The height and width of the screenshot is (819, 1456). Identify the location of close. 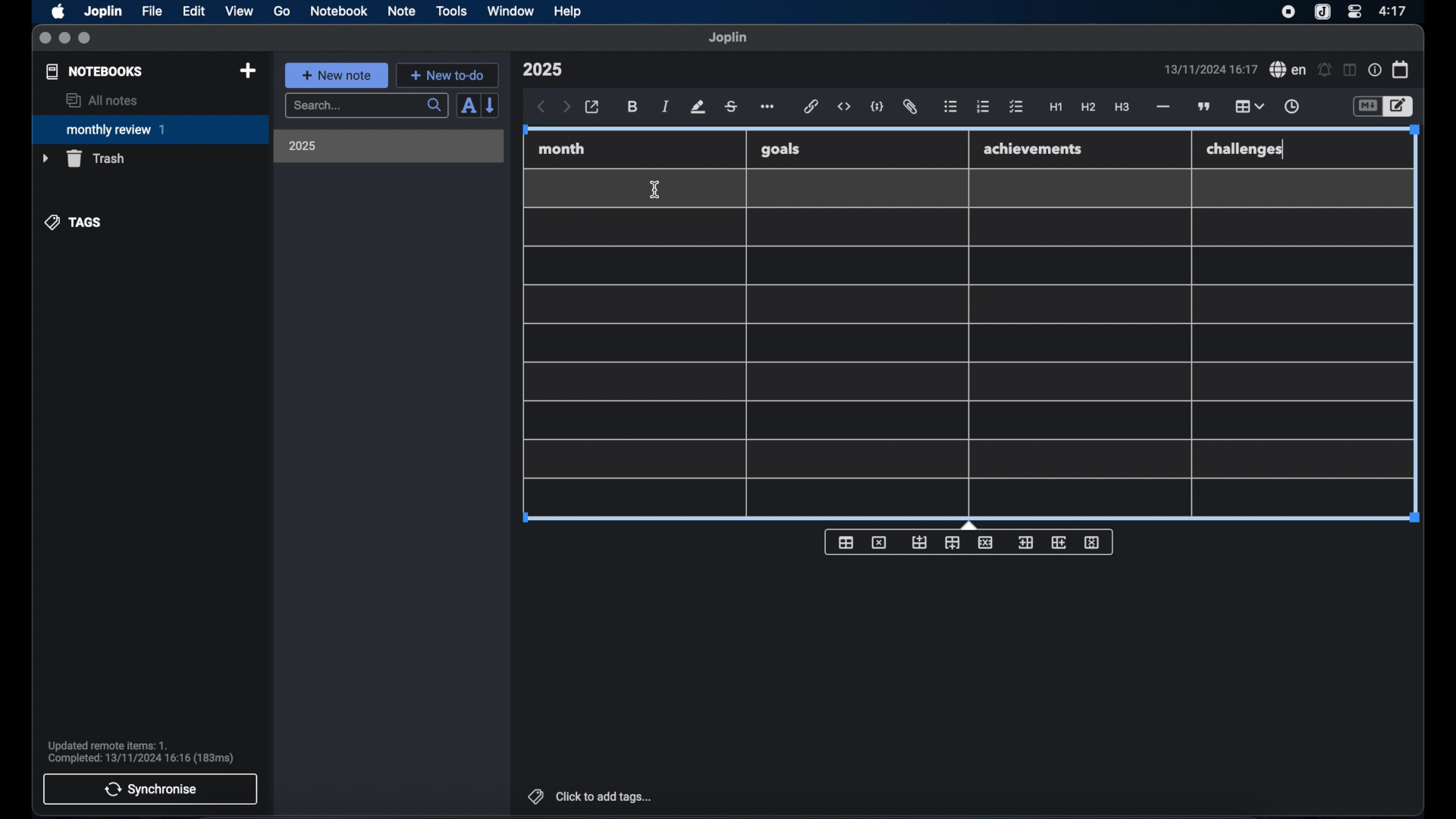
(45, 39).